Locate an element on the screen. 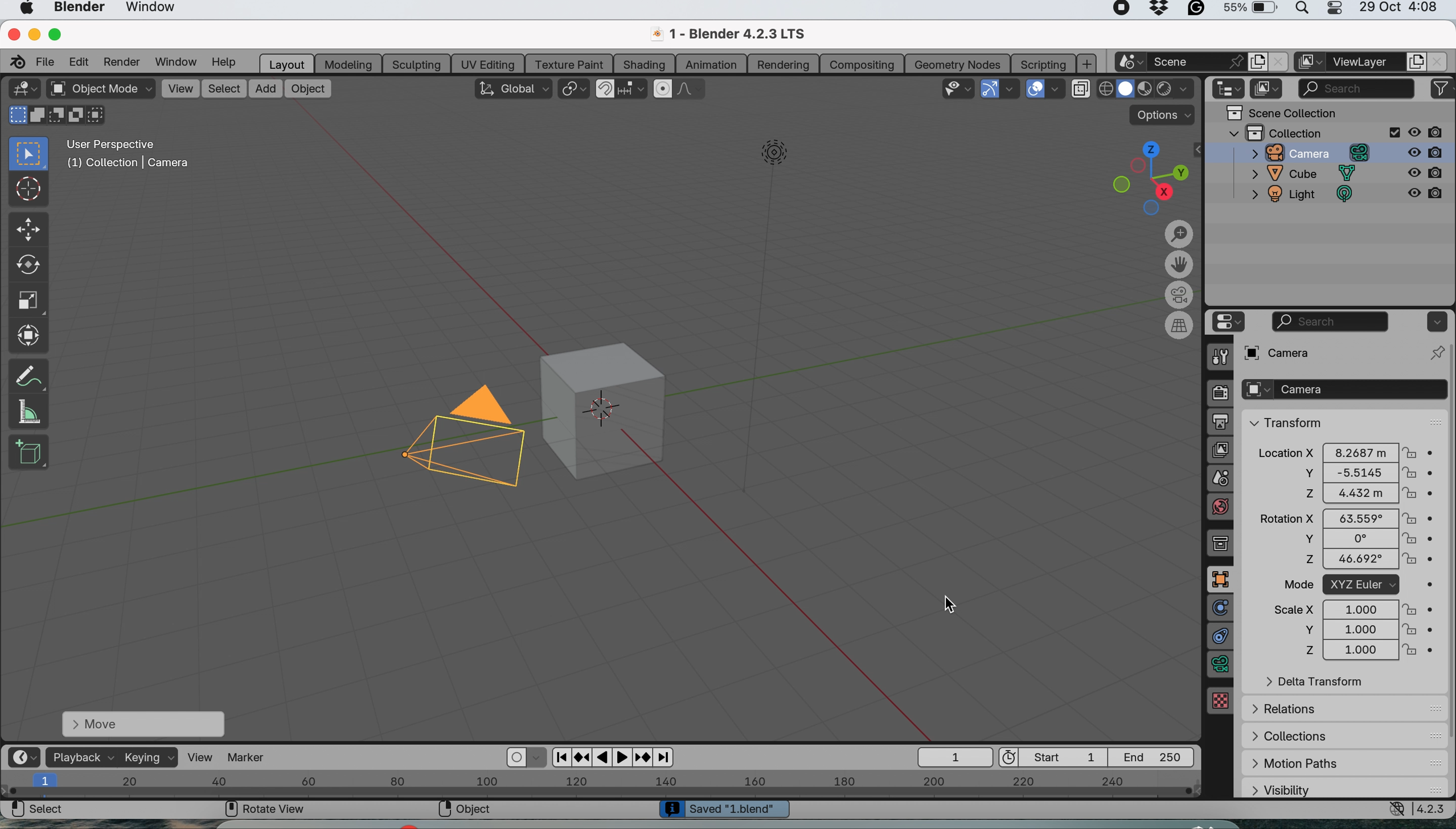 Image resolution: width=1456 pixels, height=829 pixels. active workspace is located at coordinates (1310, 62).